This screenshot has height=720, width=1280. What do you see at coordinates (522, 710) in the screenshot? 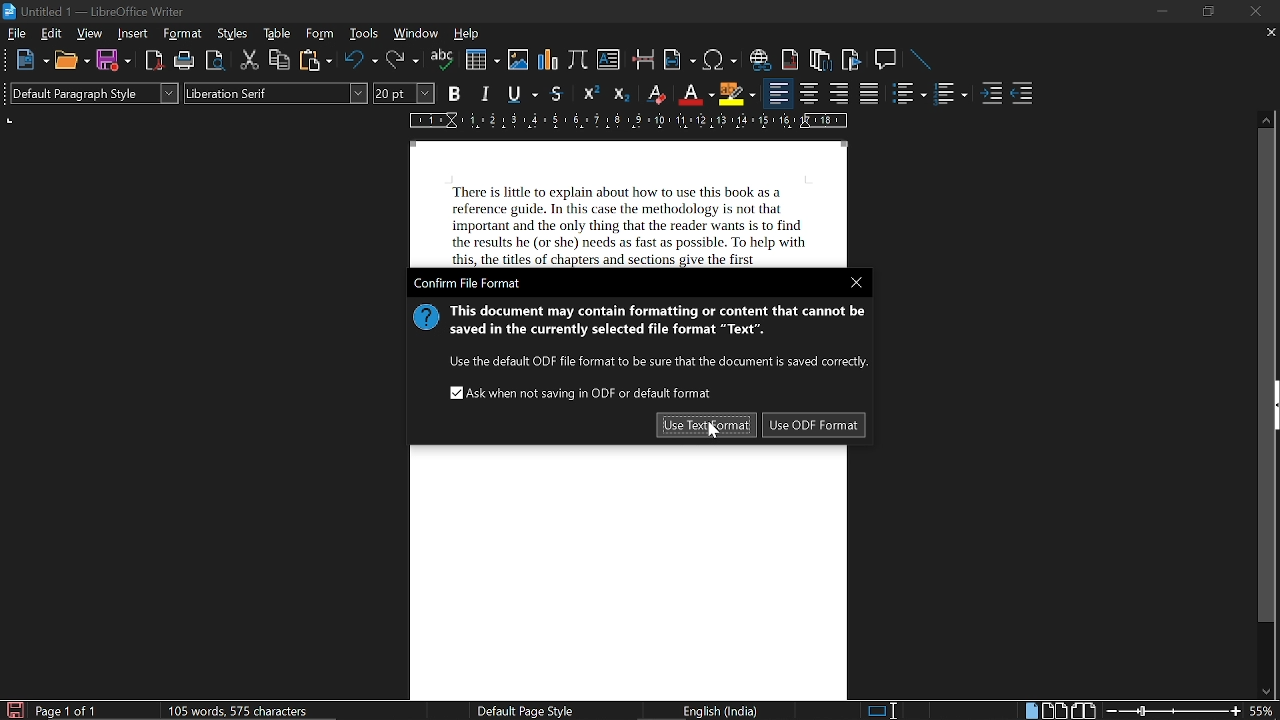
I see `page style` at bounding box center [522, 710].